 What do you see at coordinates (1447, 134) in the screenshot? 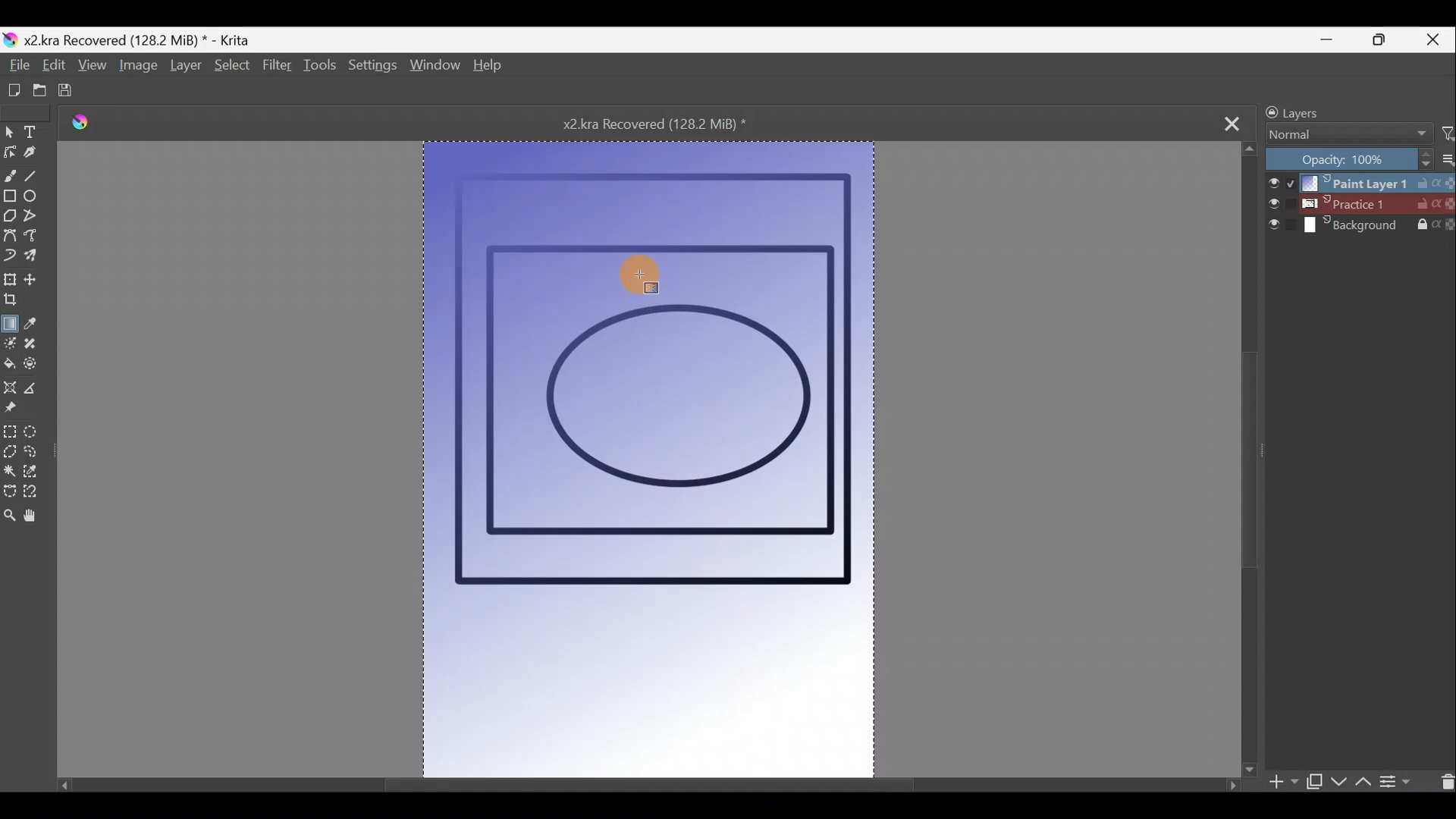
I see `Filter` at bounding box center [1447, 134].